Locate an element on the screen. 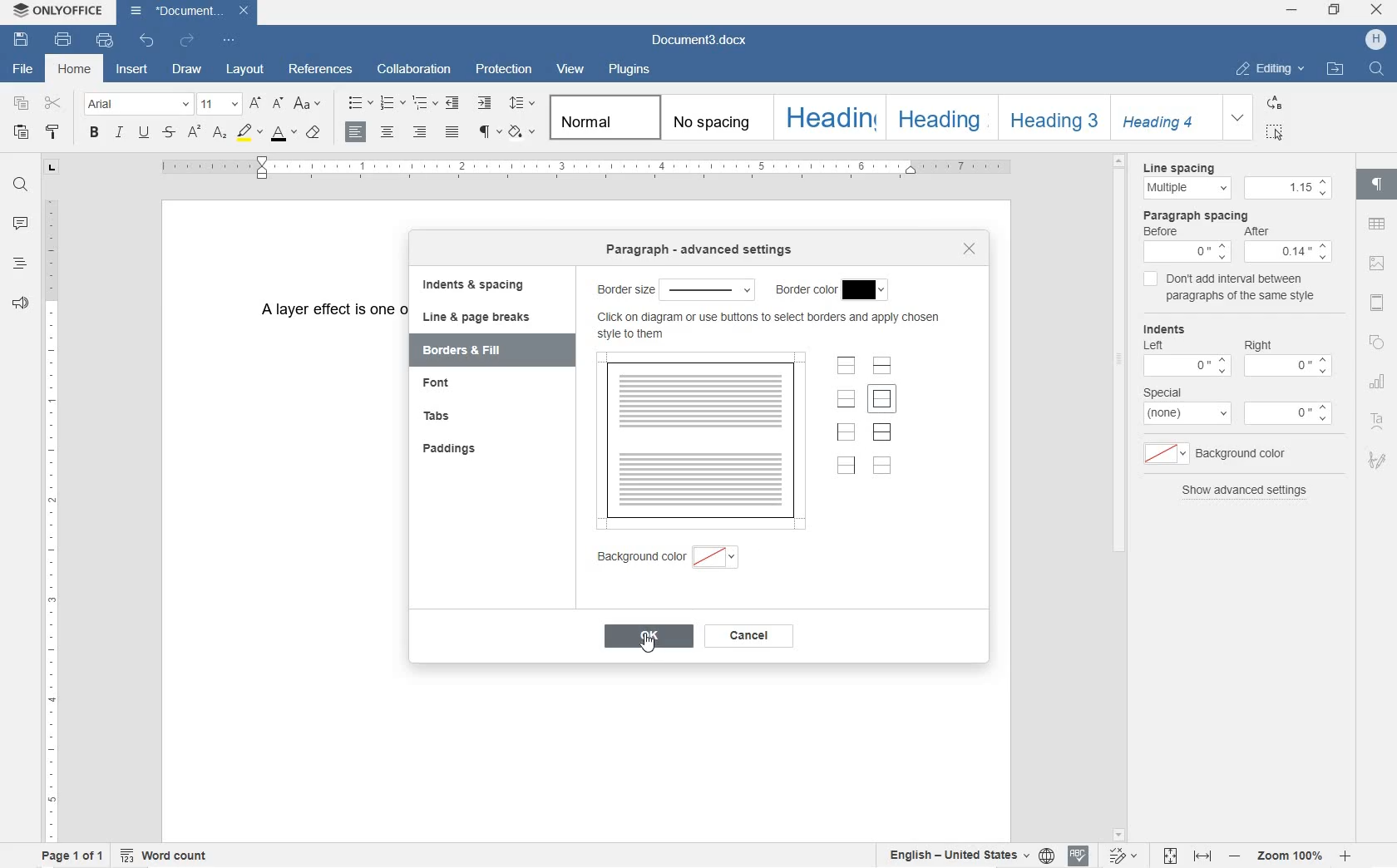 The width and height of the screenshot is (1397, 868). set left border only is located at coordinates (847, 433).